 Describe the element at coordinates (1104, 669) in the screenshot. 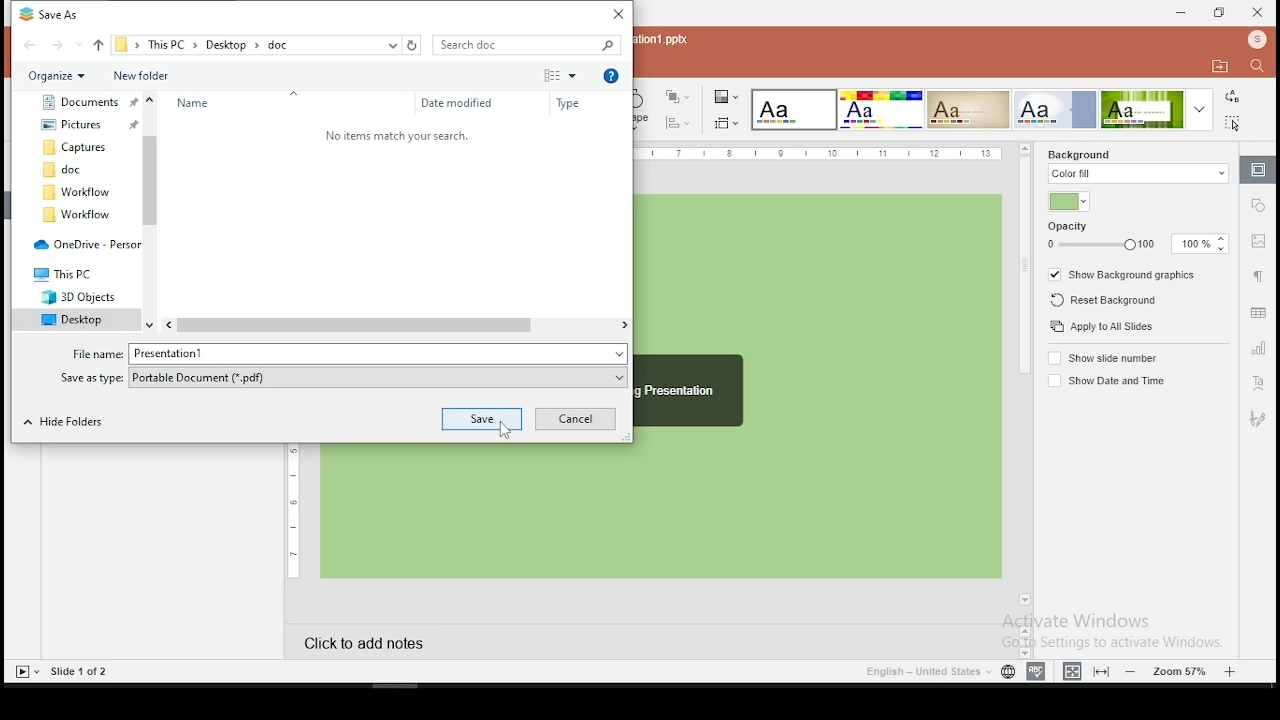

I see `fit to width` at that location.